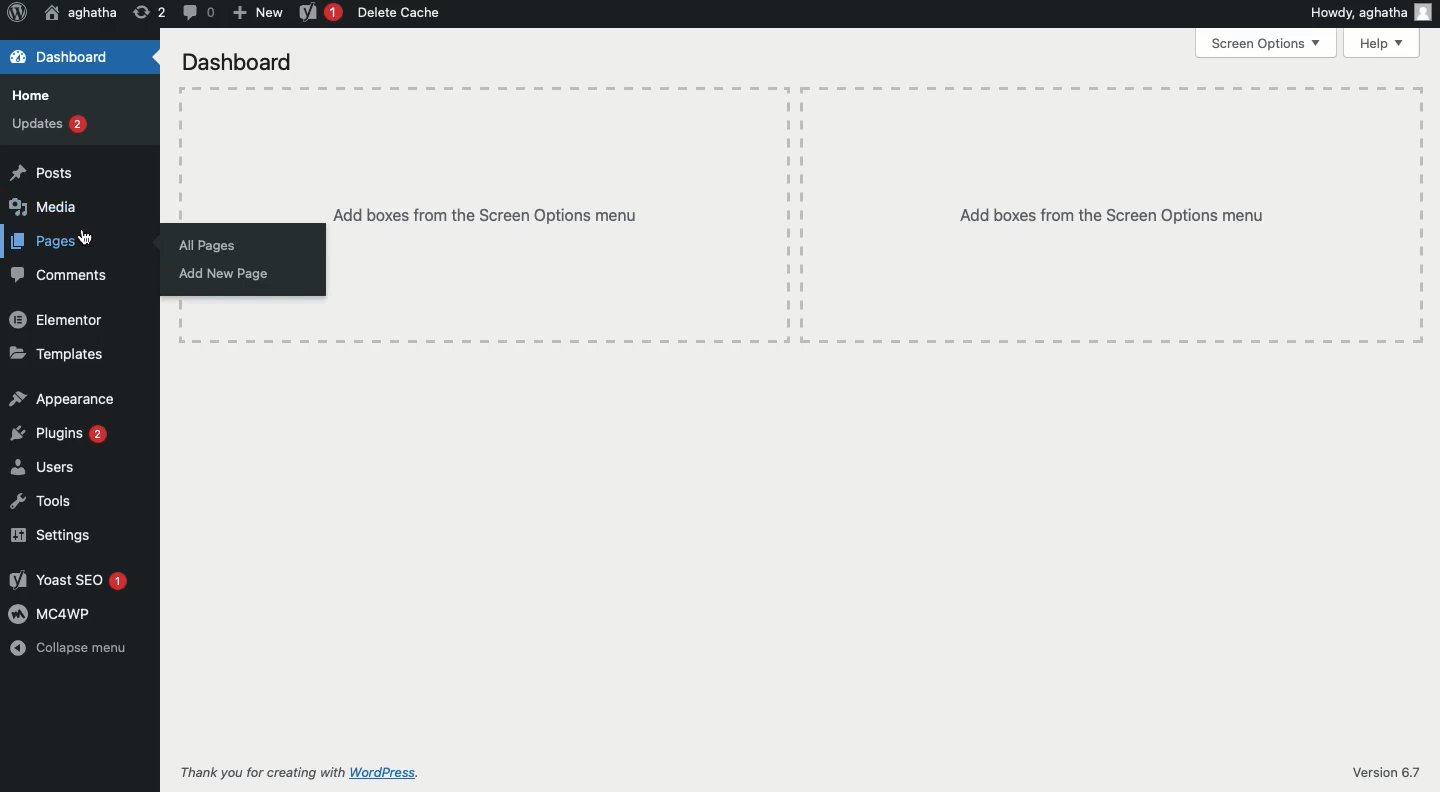 The width and height of the screenshot is (1440, 792). Describe the element at coordinates (1267, 42) in the screenshot. I see `Screen options` at that location.